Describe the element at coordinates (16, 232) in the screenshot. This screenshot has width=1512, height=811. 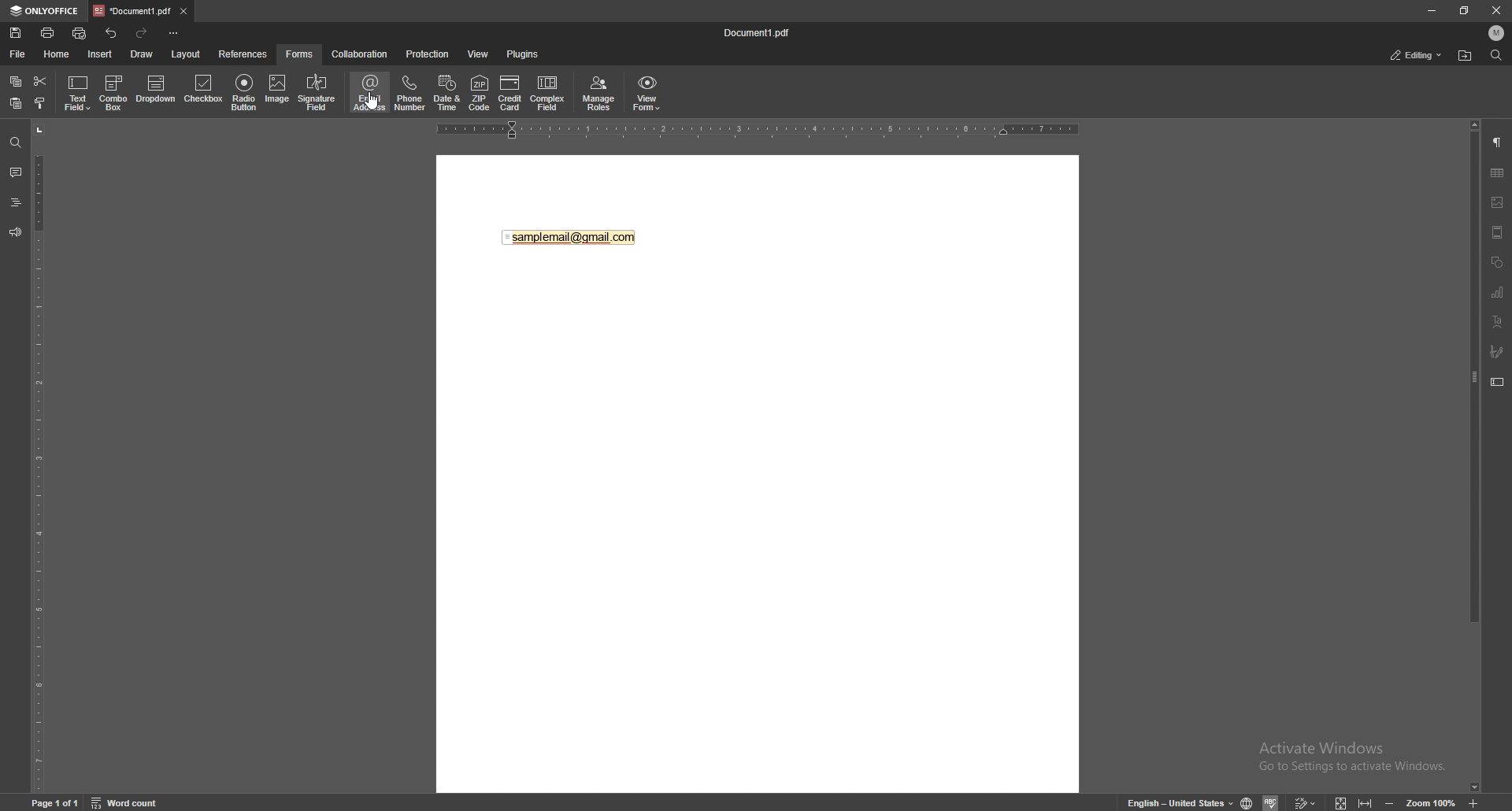
I see `feedback` at that location.